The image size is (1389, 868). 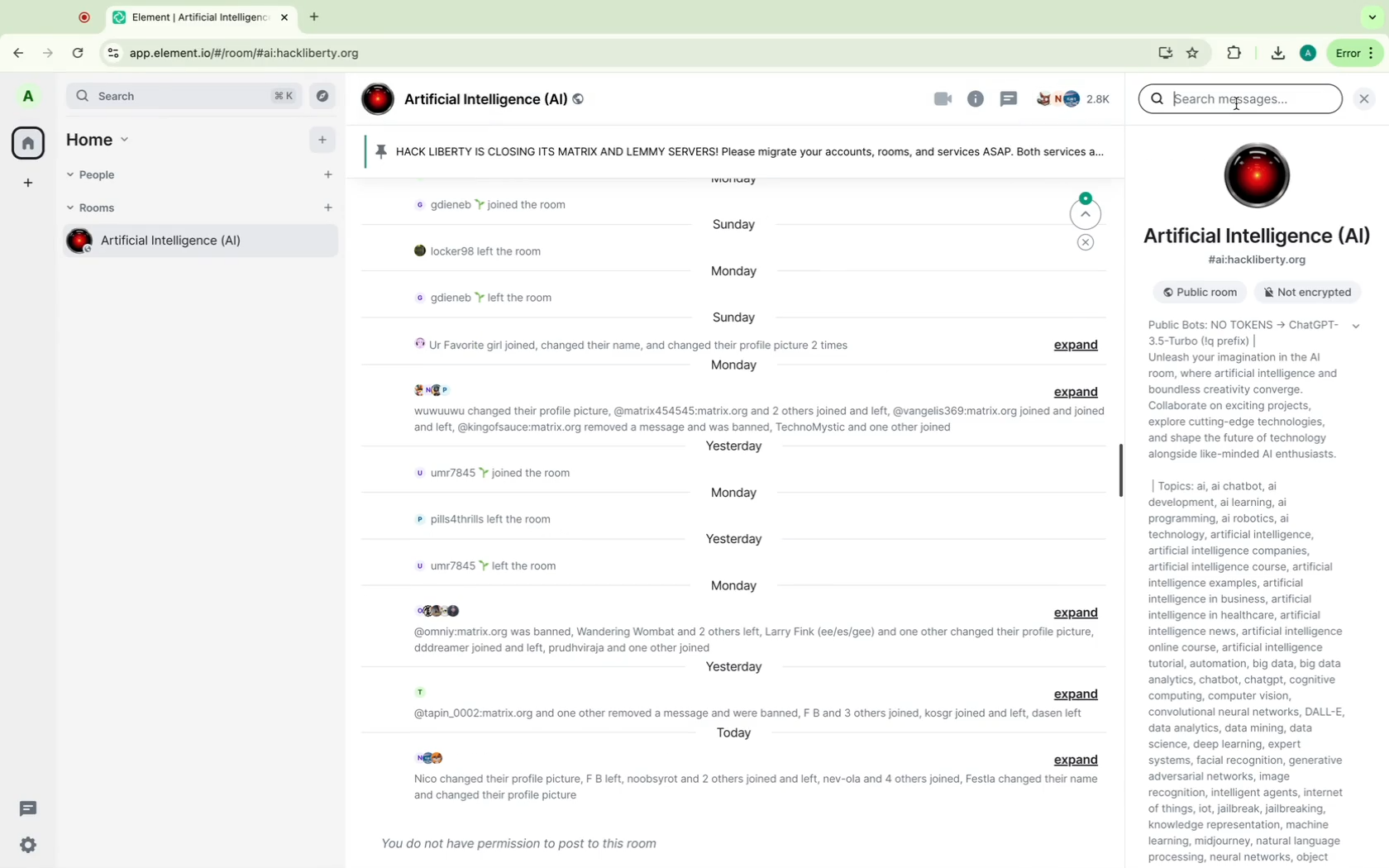 I want to click on video, so click(x=943, y=99).